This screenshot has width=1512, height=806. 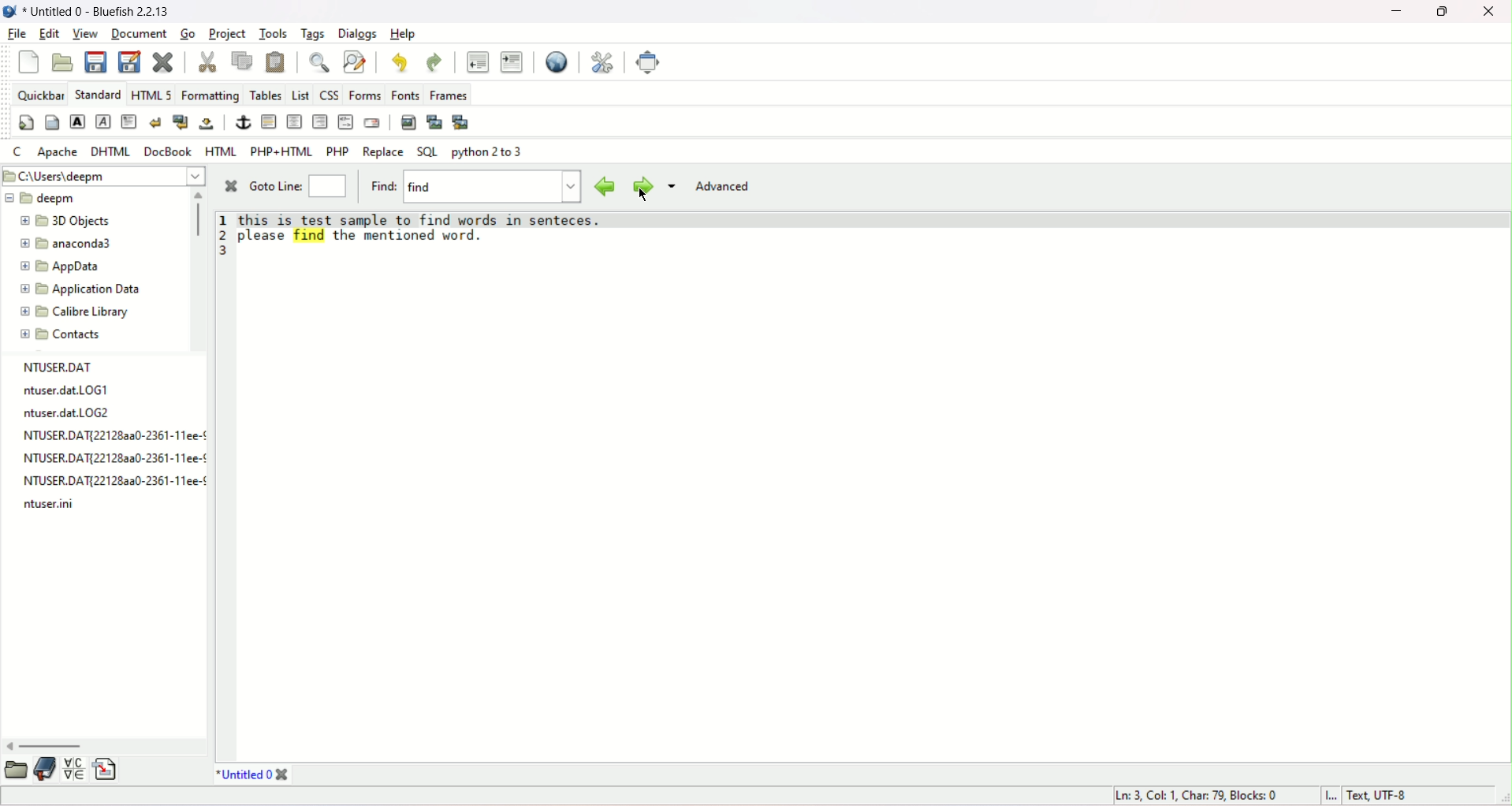 What do you see at coordinates (227, 188) in the screenshot?
I see `close` at bounding box center [227, 188].